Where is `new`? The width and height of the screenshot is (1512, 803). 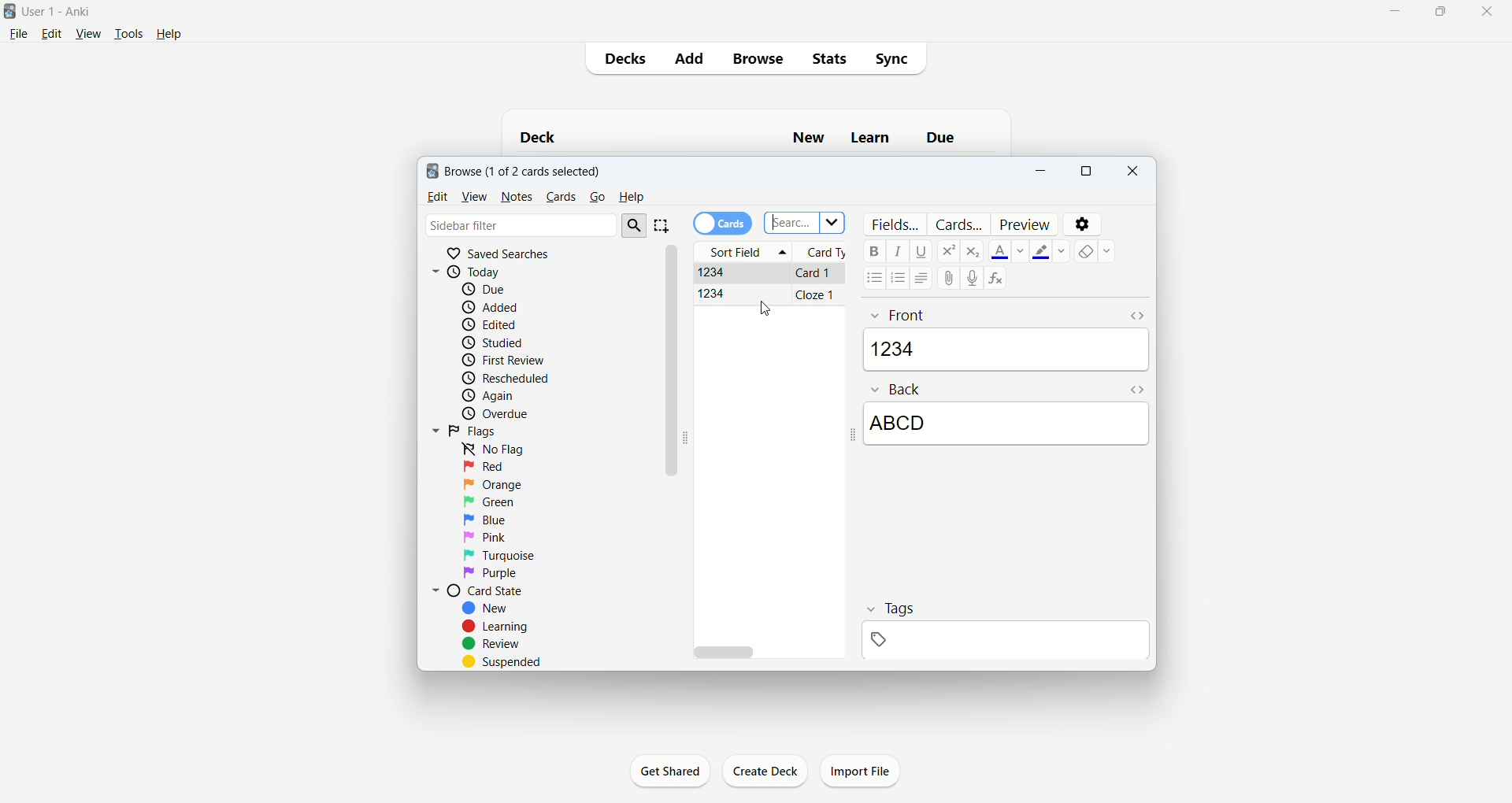
new is located at coordinates (807, 139).